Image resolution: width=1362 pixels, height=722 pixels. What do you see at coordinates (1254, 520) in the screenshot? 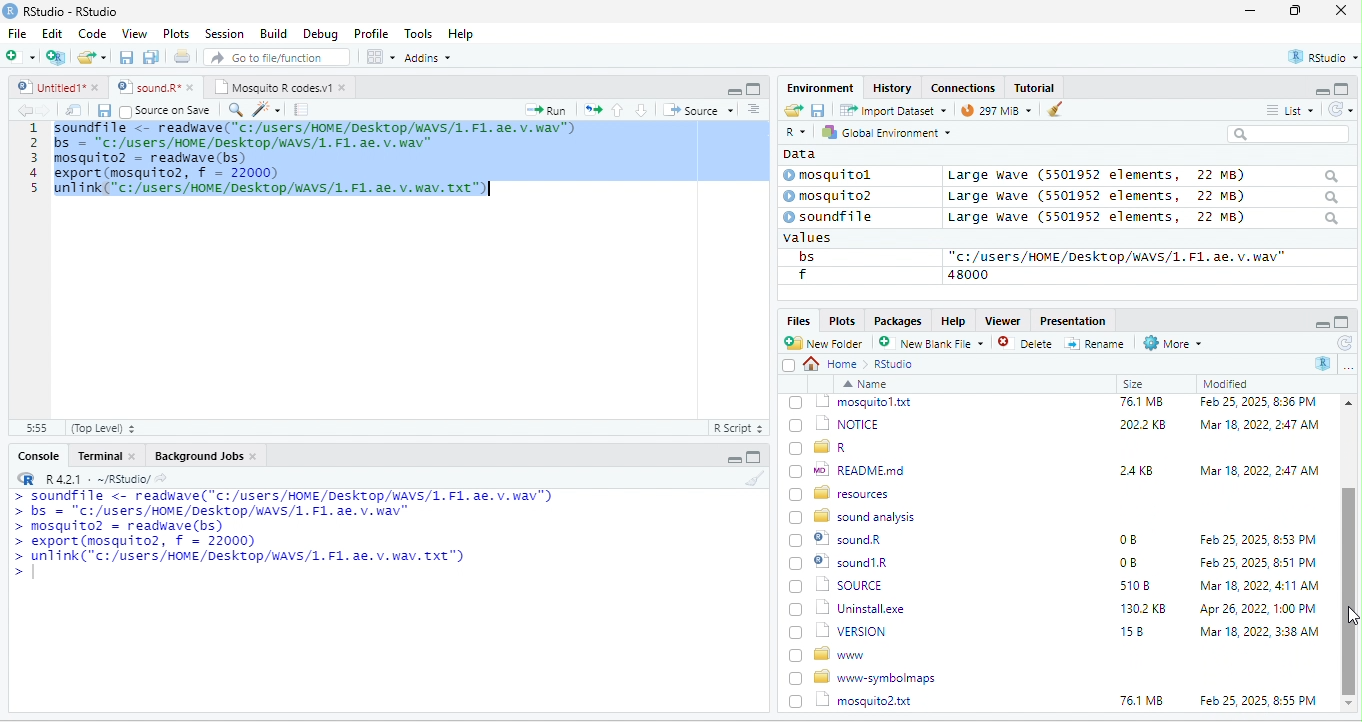
I see `Feb 25, 2025, 8:36 PM` at bounding box center [1254, 520].